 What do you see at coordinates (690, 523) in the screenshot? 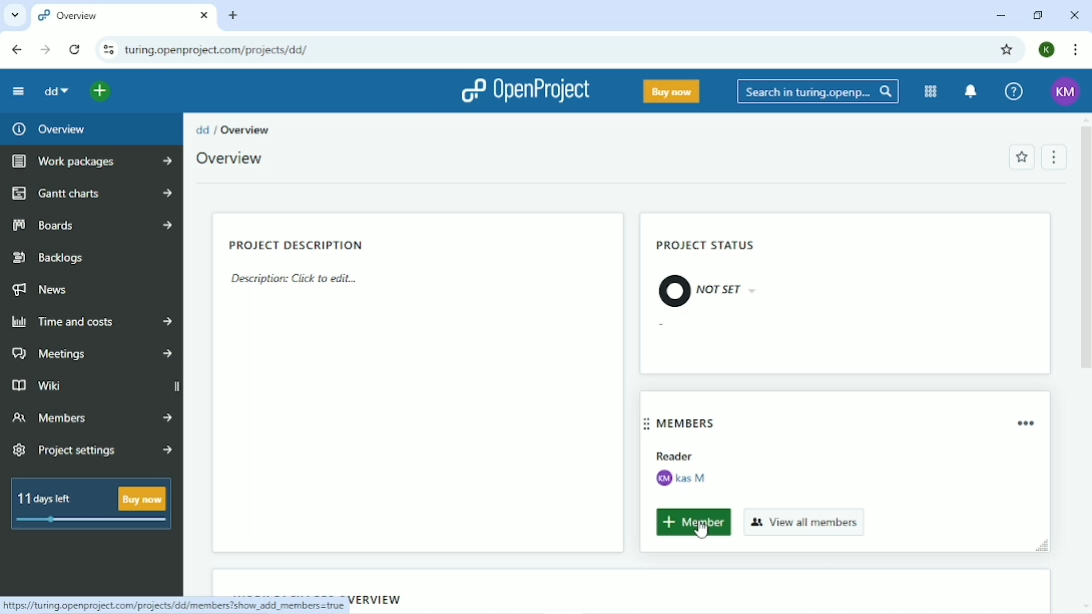
I see `Add member` at bounding box center [690, 523].